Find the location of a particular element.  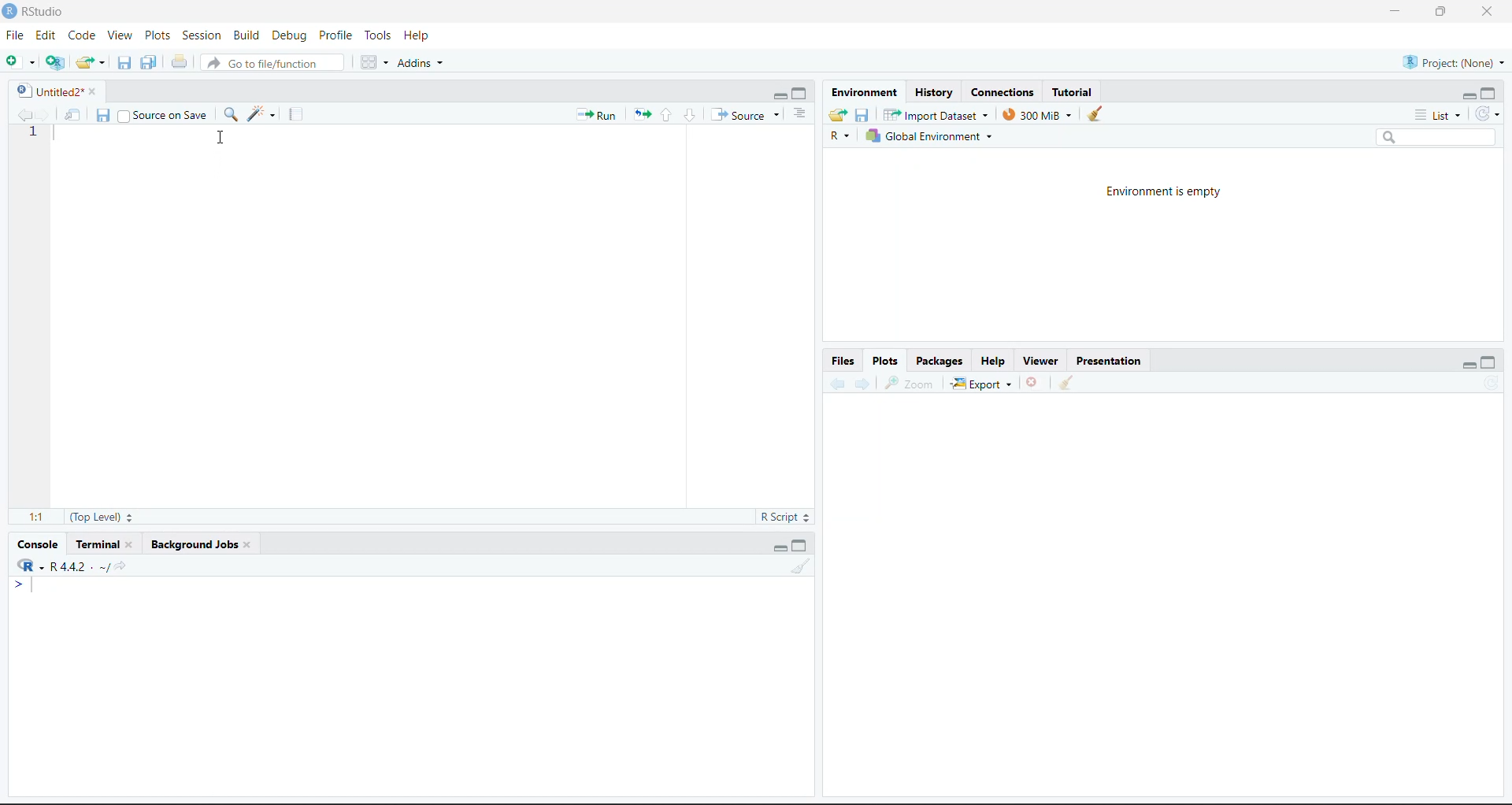

hide console is located at coordinates (1492, 363).